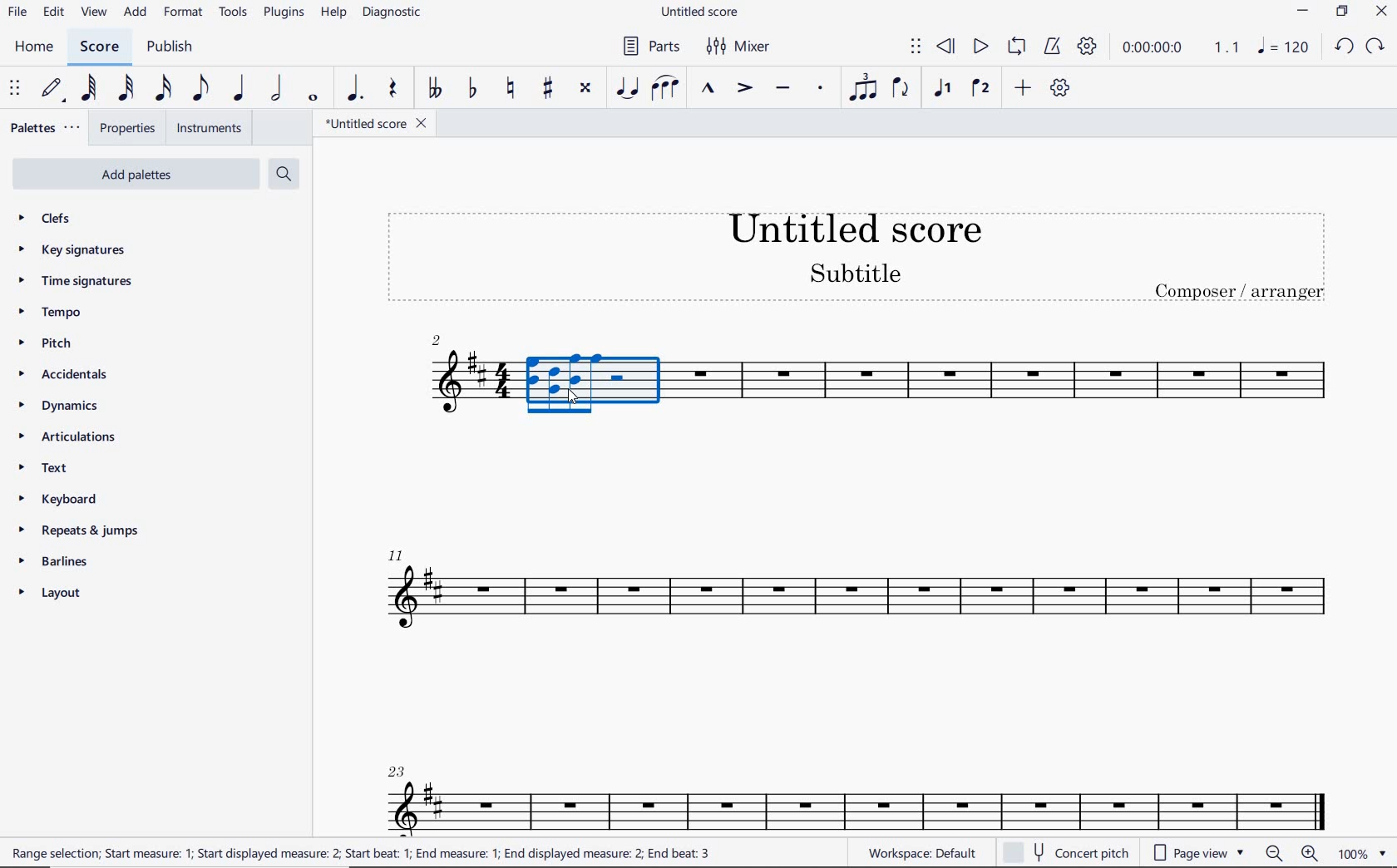 The width and height of the screenshot is (1397, 868). Describe the element at coordinates (126, 89) in the screenshot. I see `32ND NOTE` at that location.